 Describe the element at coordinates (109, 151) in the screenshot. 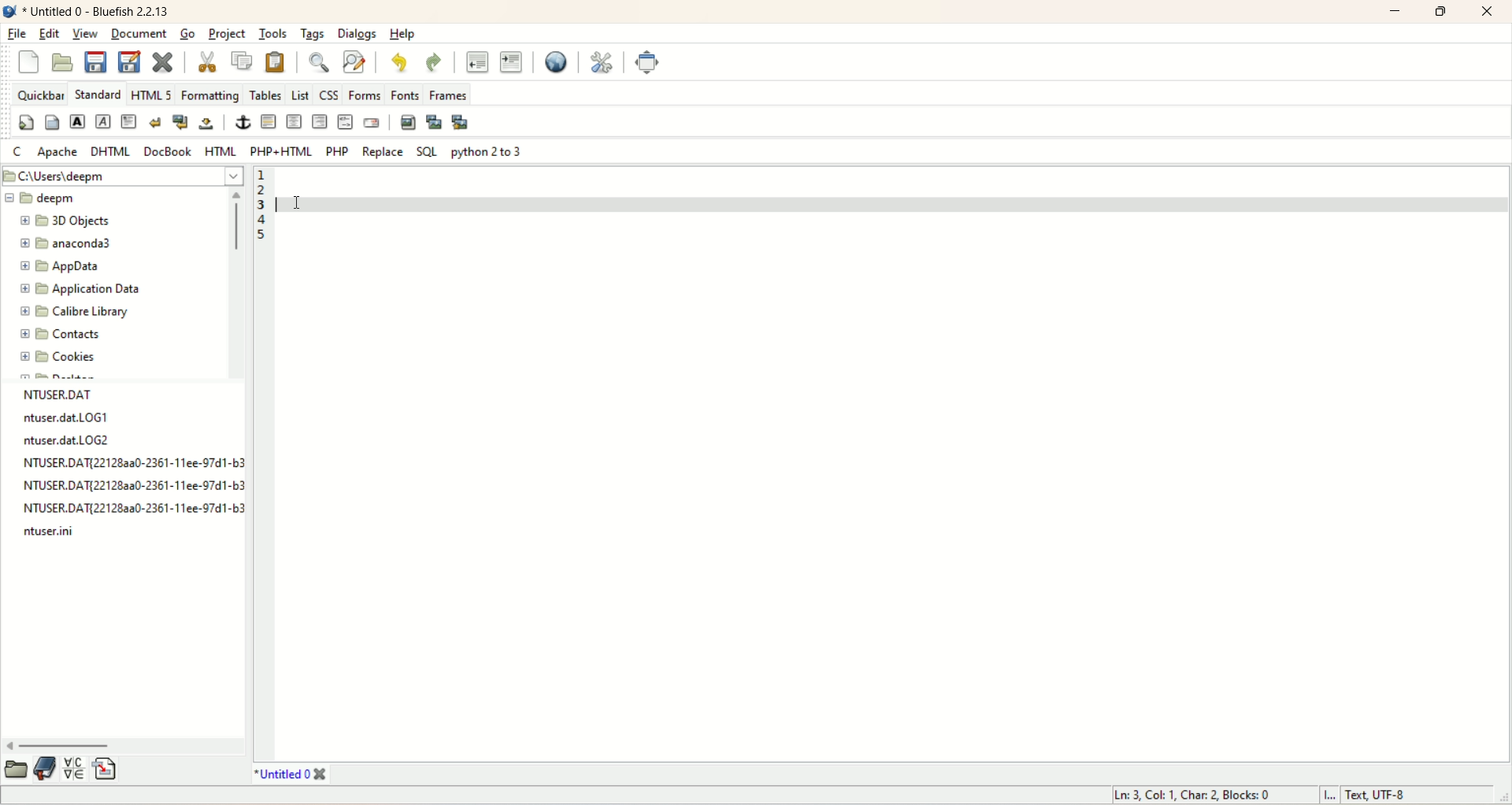

I see `DHTML` at that location.